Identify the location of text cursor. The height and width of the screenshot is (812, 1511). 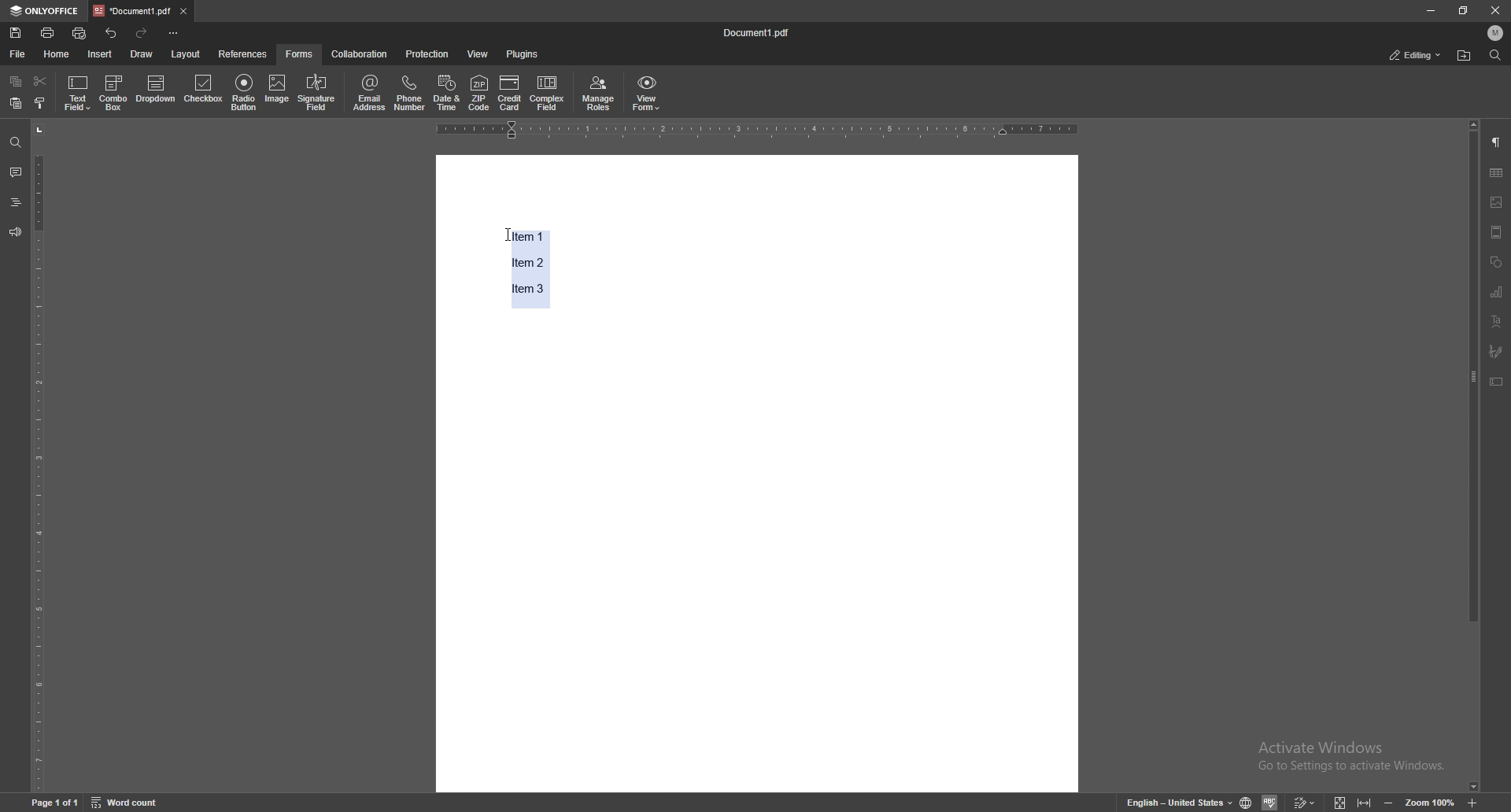
(496, 224).